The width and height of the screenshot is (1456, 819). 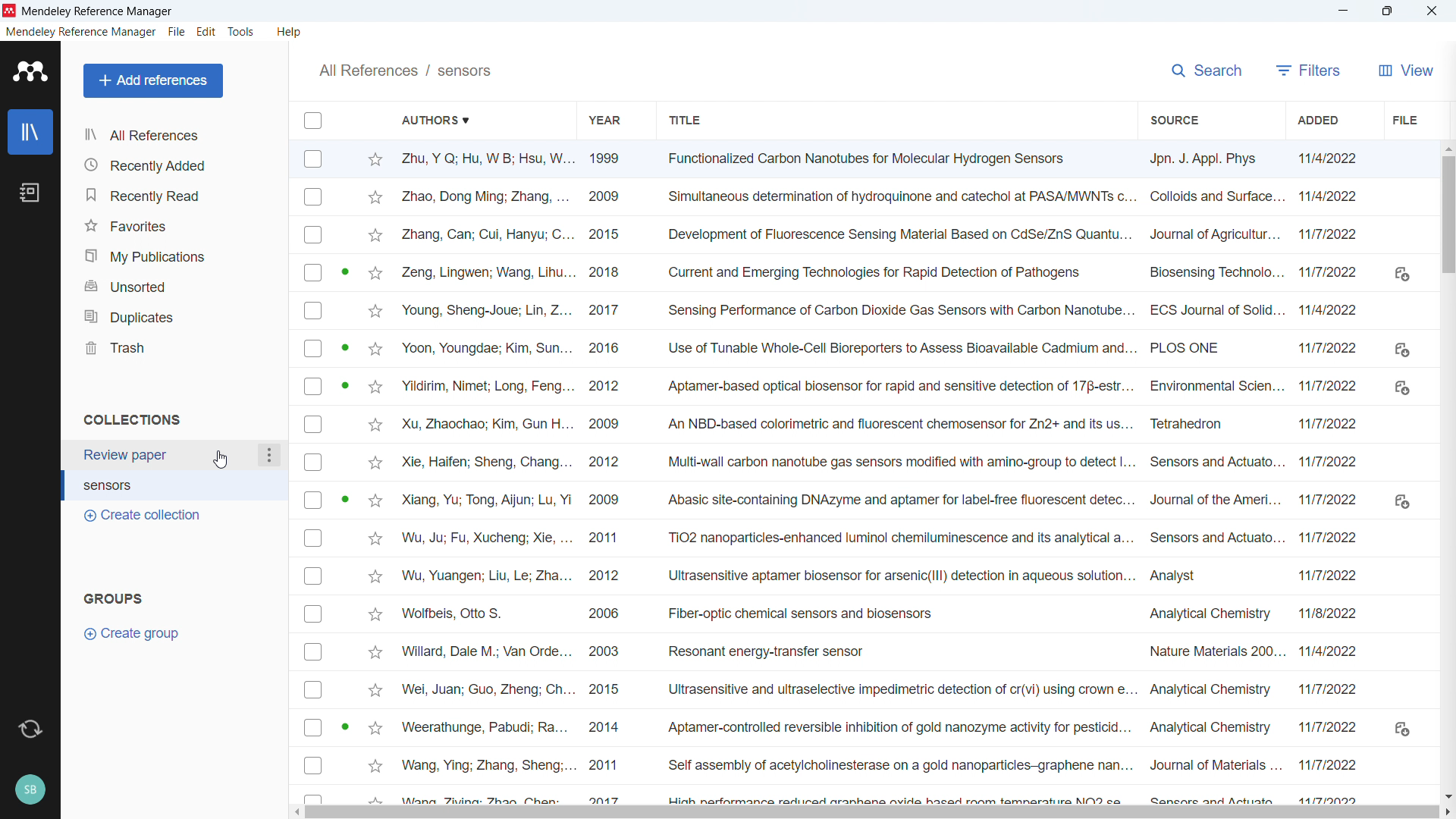 I want to click on Horizontal scroll bar , so click(x=873, y=813).